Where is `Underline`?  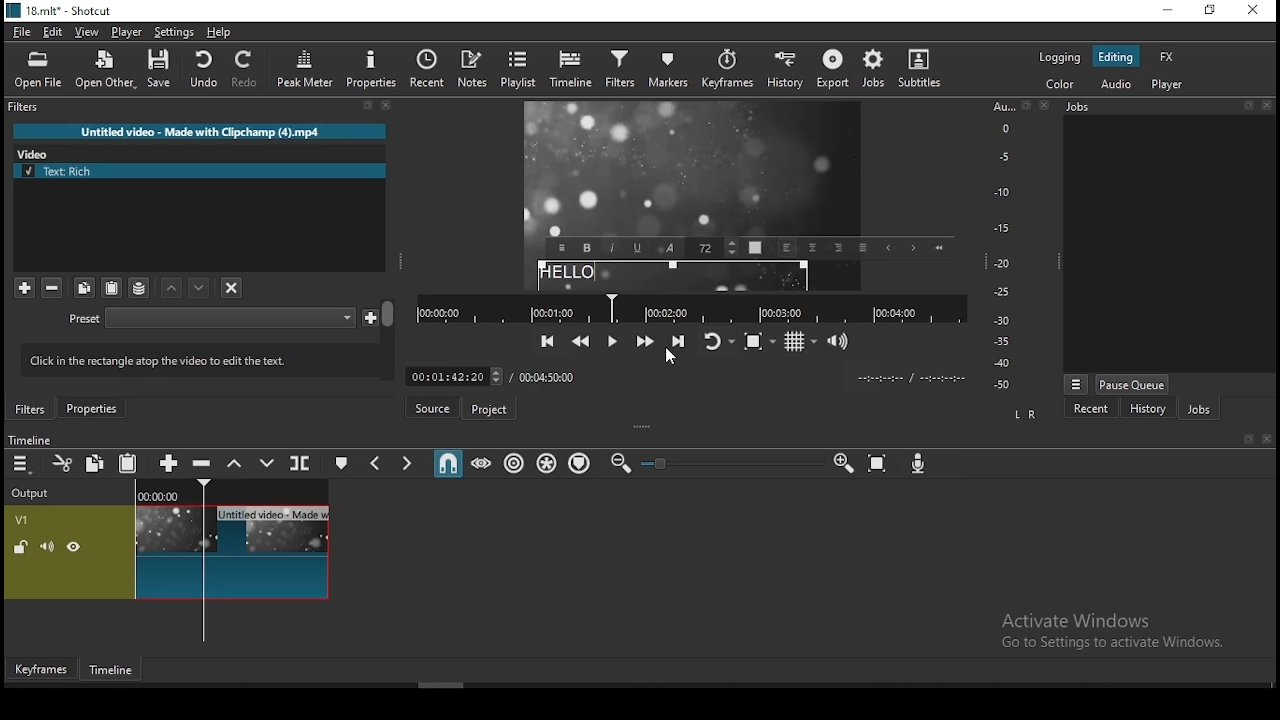 Underline is located at coordinates (638, 247).